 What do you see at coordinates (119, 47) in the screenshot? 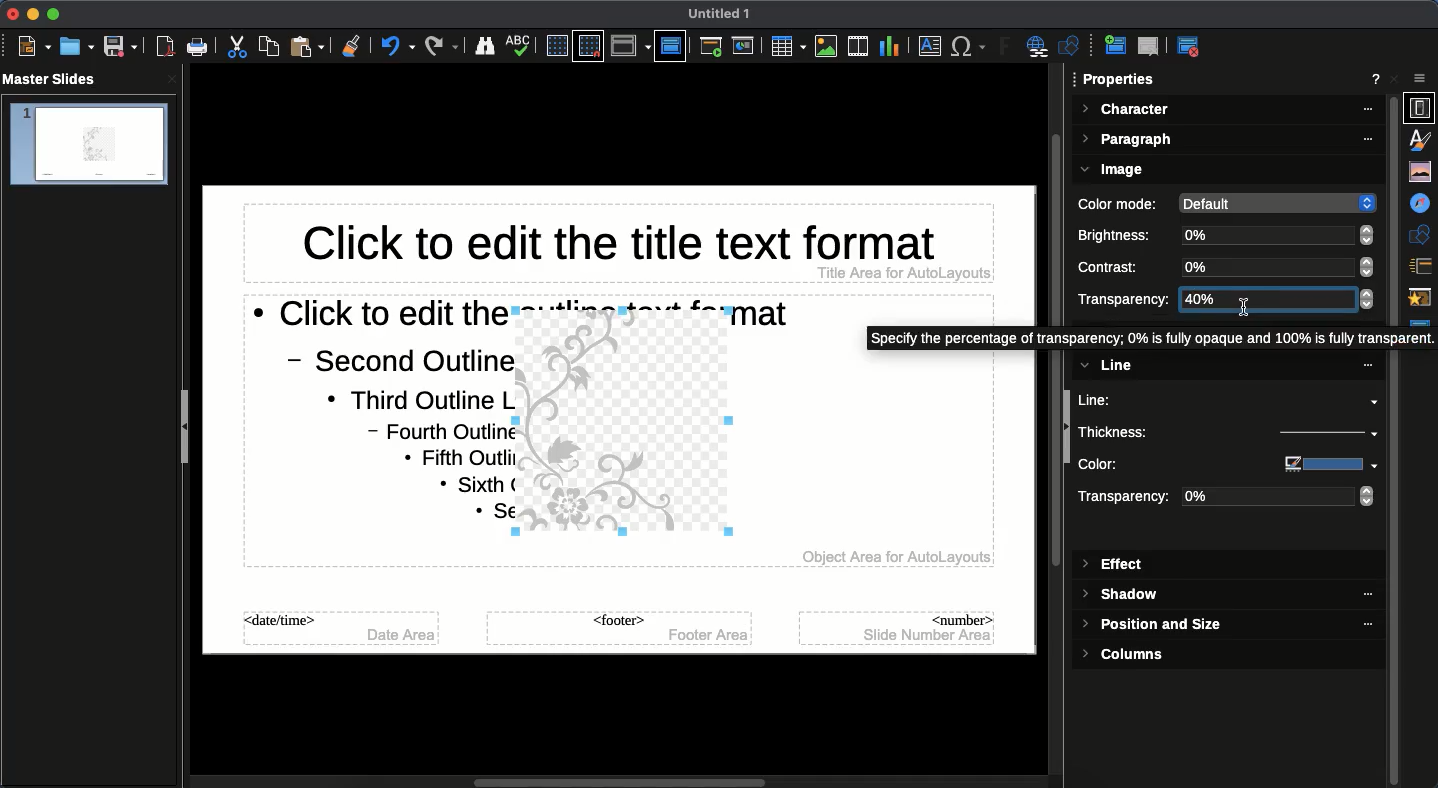
I see `Save` at bounding box center [119, 47].